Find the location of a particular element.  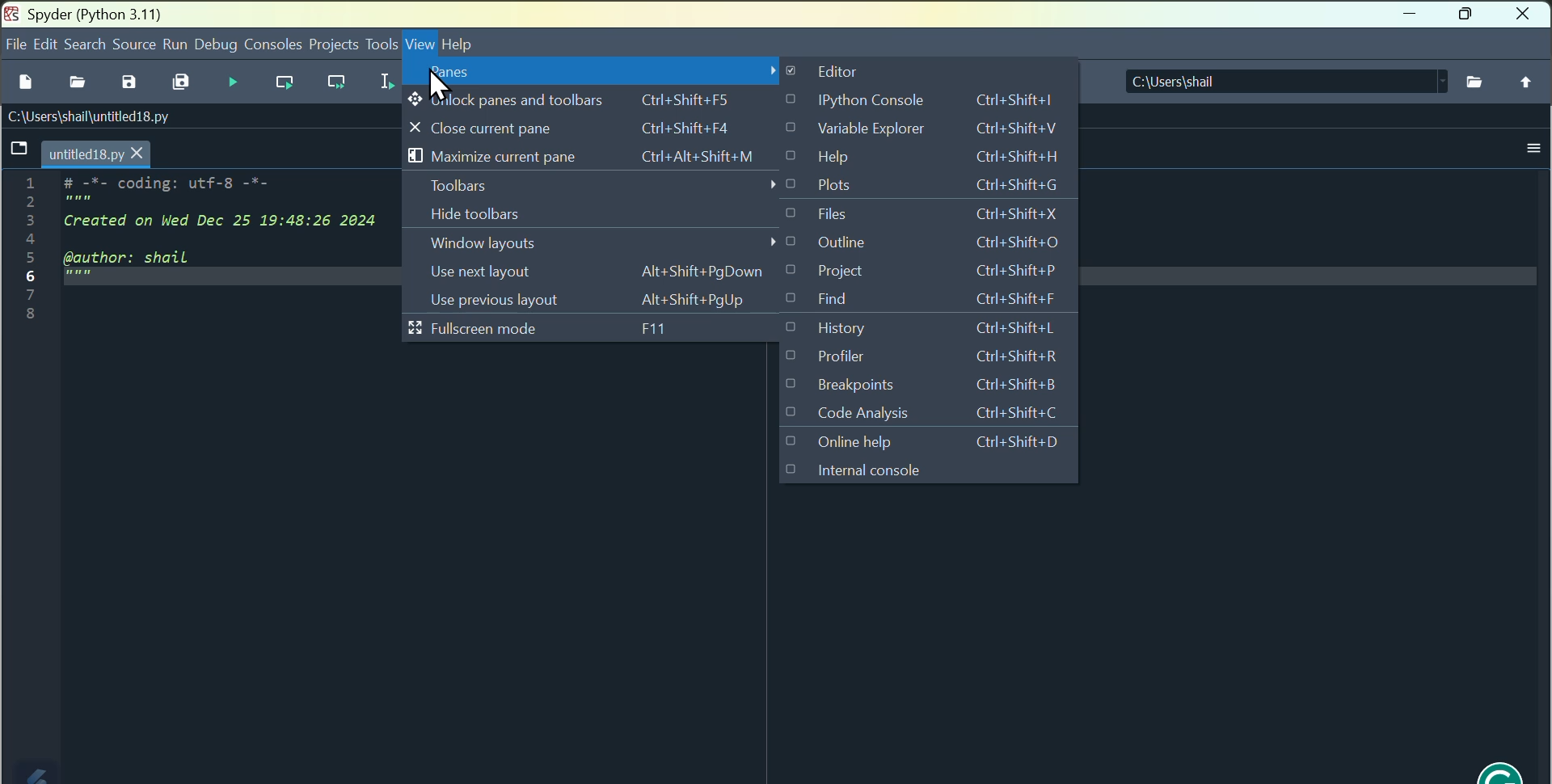

Code analysis is located at coordinates (922, 411).